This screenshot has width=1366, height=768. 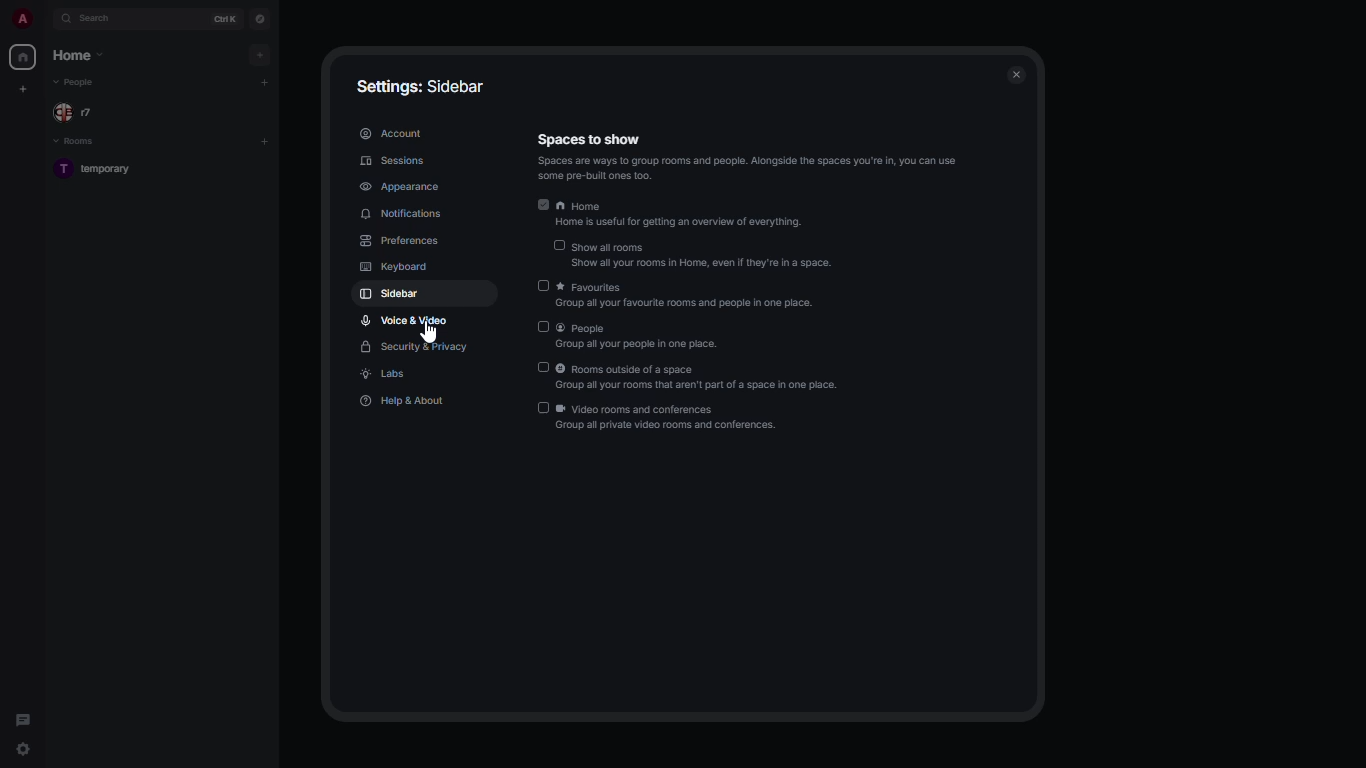 What do you see at coordinates (77, 142) in the screenshot?
I see `rooms` at bounding box center [77, 142].